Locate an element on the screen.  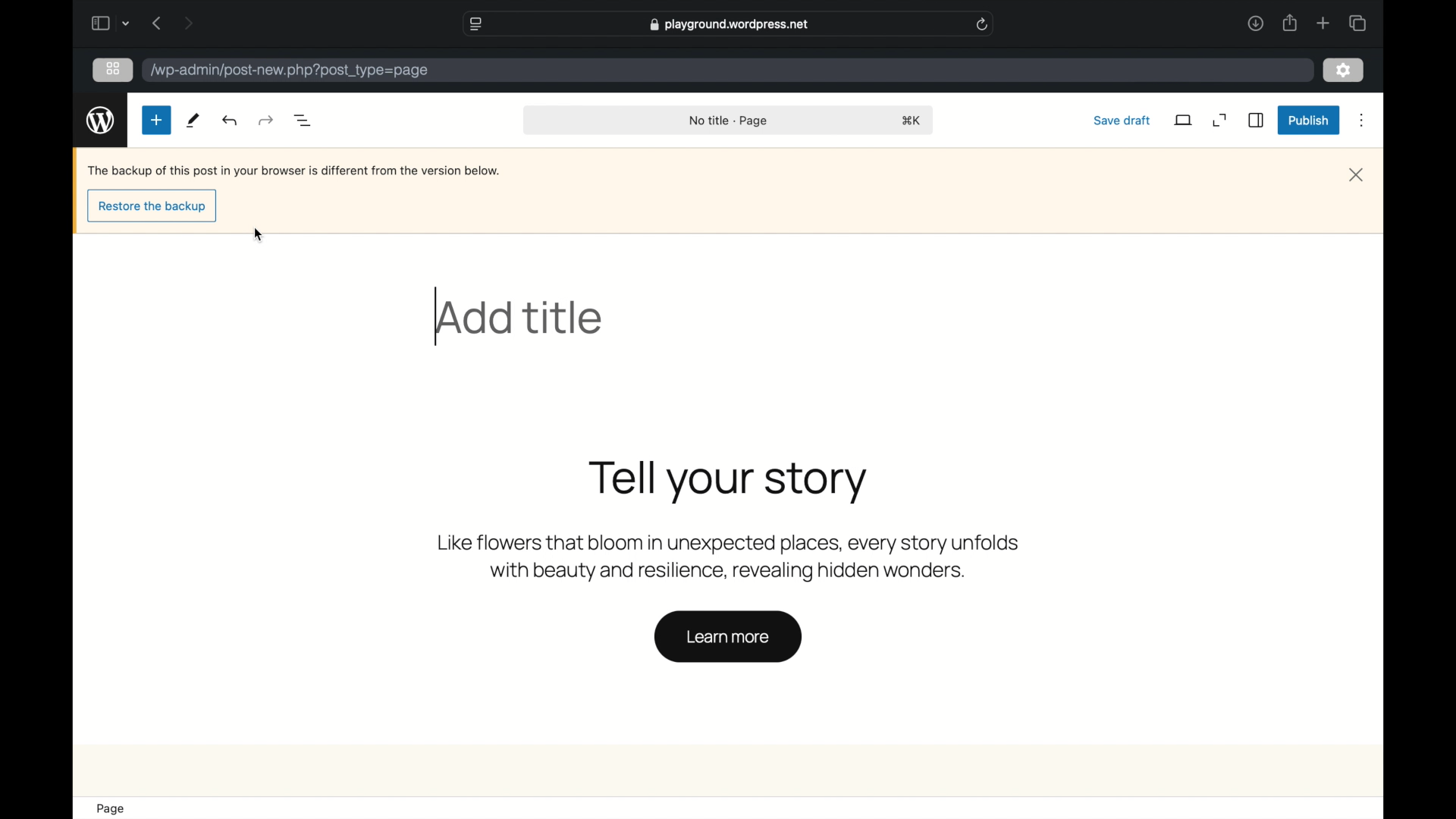
new is located at coordinates (156, 120).